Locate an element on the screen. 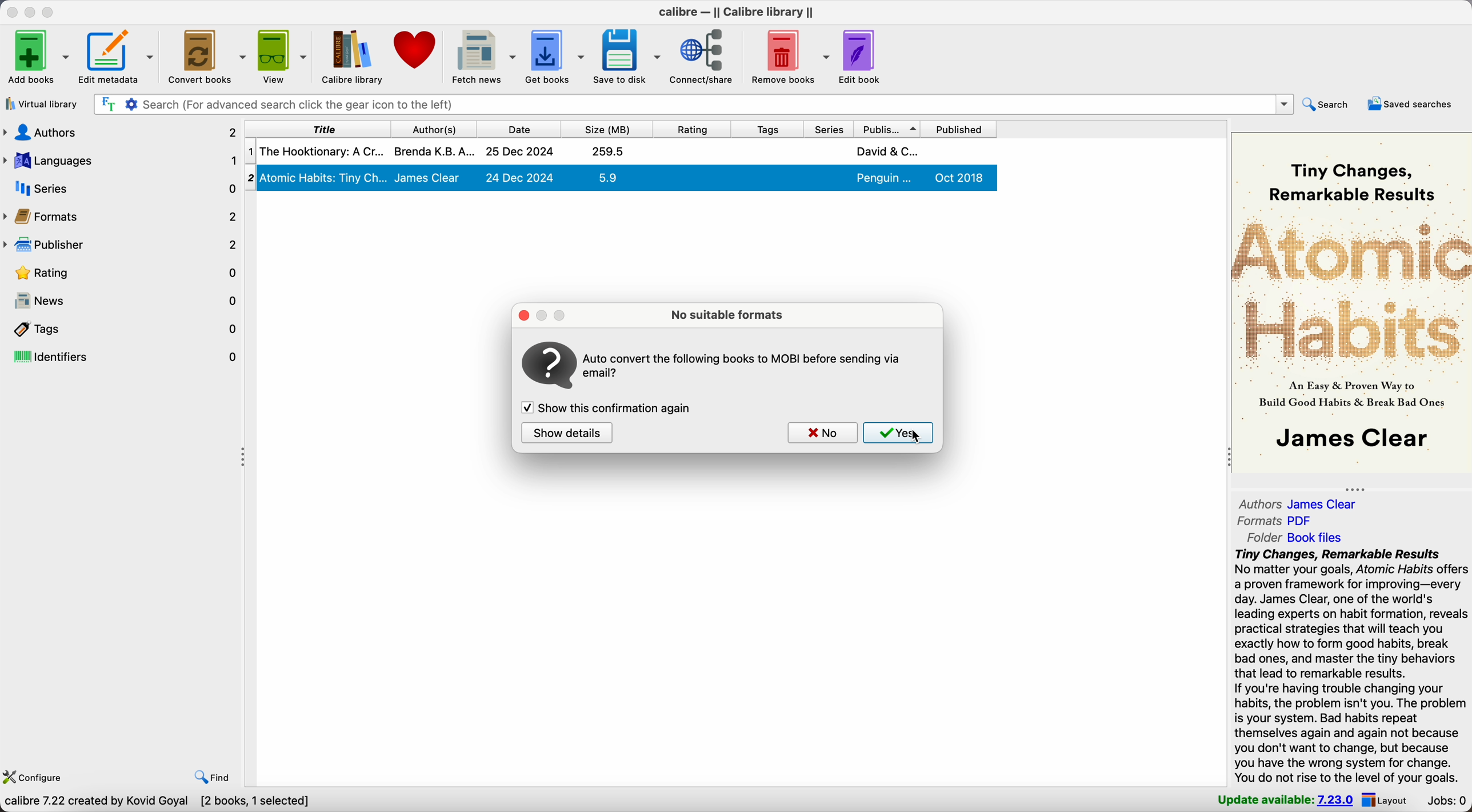 The width and height of the screenshot is (1472, 812). 2| Atomic Habits: Tiny Ch... is located at coordinates (325, 177).